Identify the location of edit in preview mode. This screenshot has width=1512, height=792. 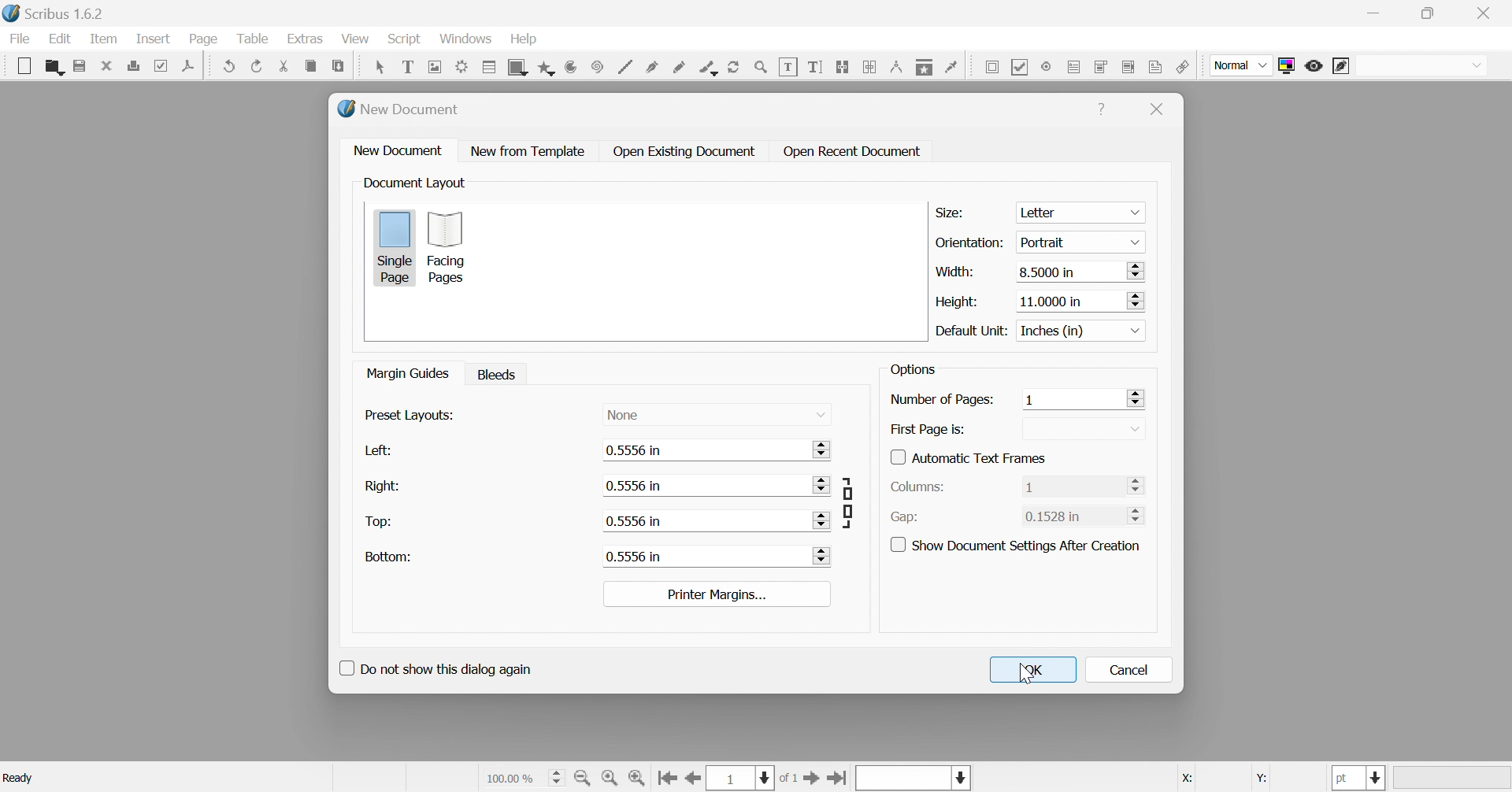
(1341, 65).